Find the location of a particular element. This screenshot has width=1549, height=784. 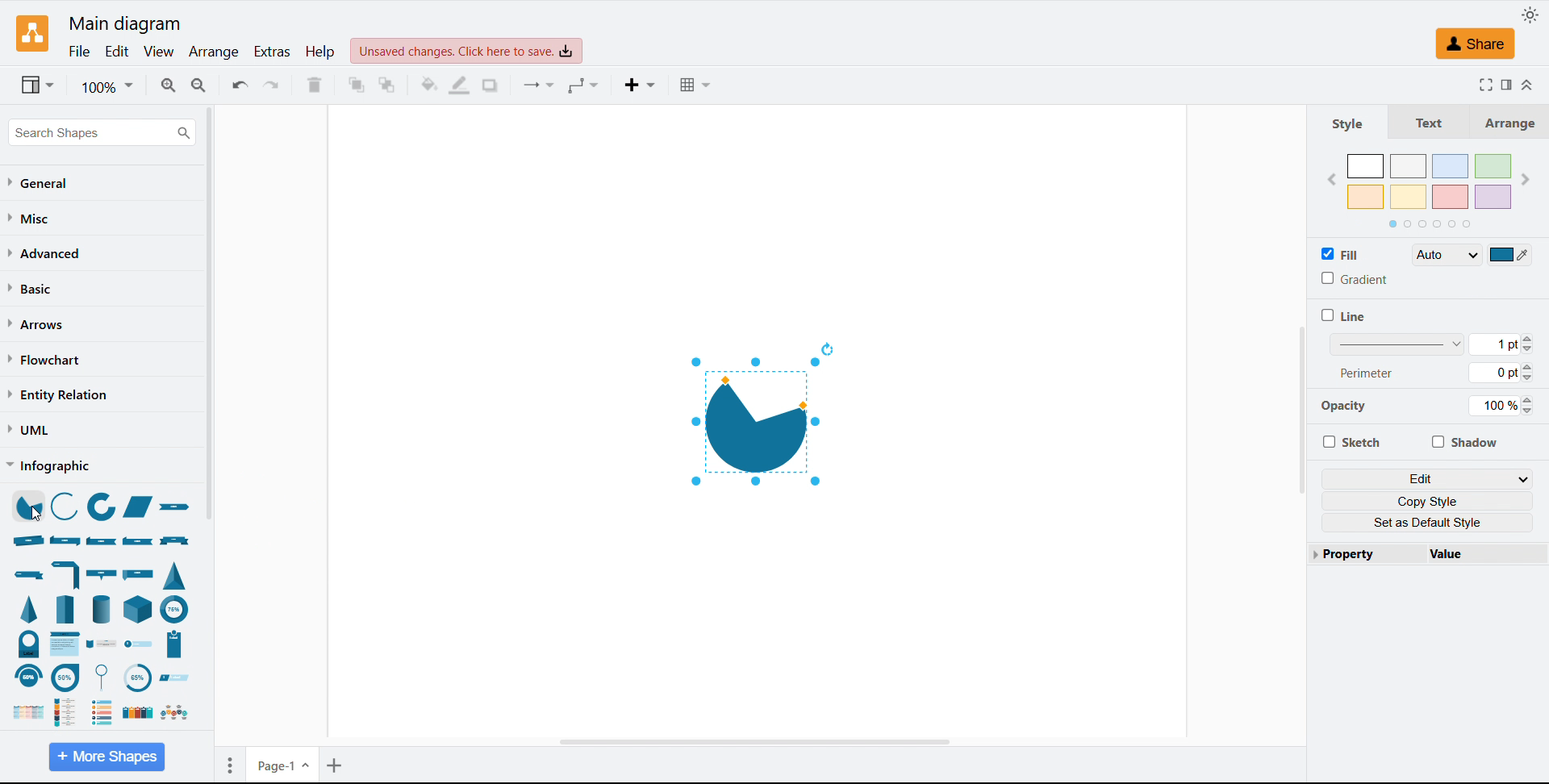

roadmap vertical is located at coordinates (65, 713).